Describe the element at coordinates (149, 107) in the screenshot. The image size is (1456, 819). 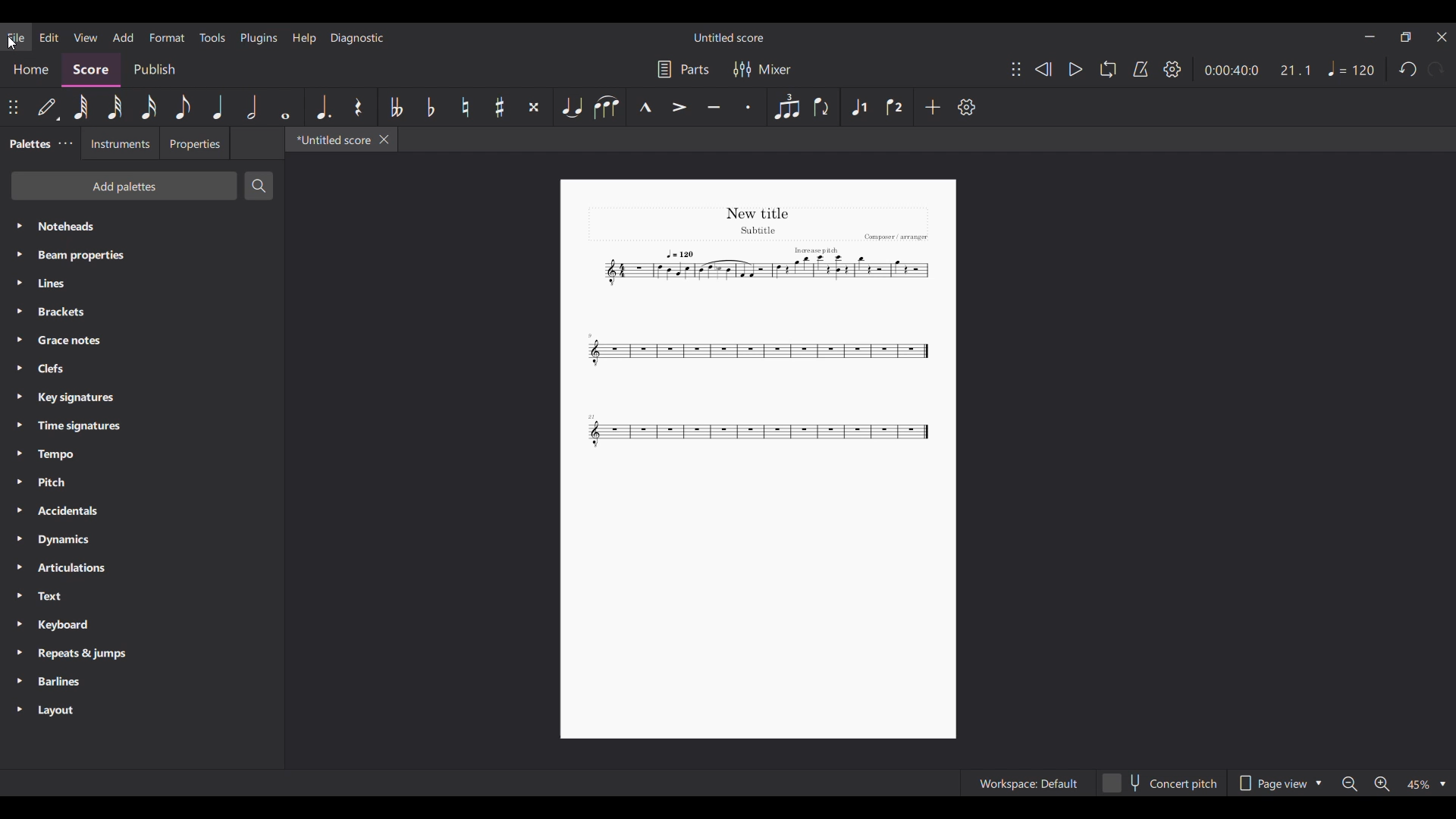
I see `16th note` at that location.